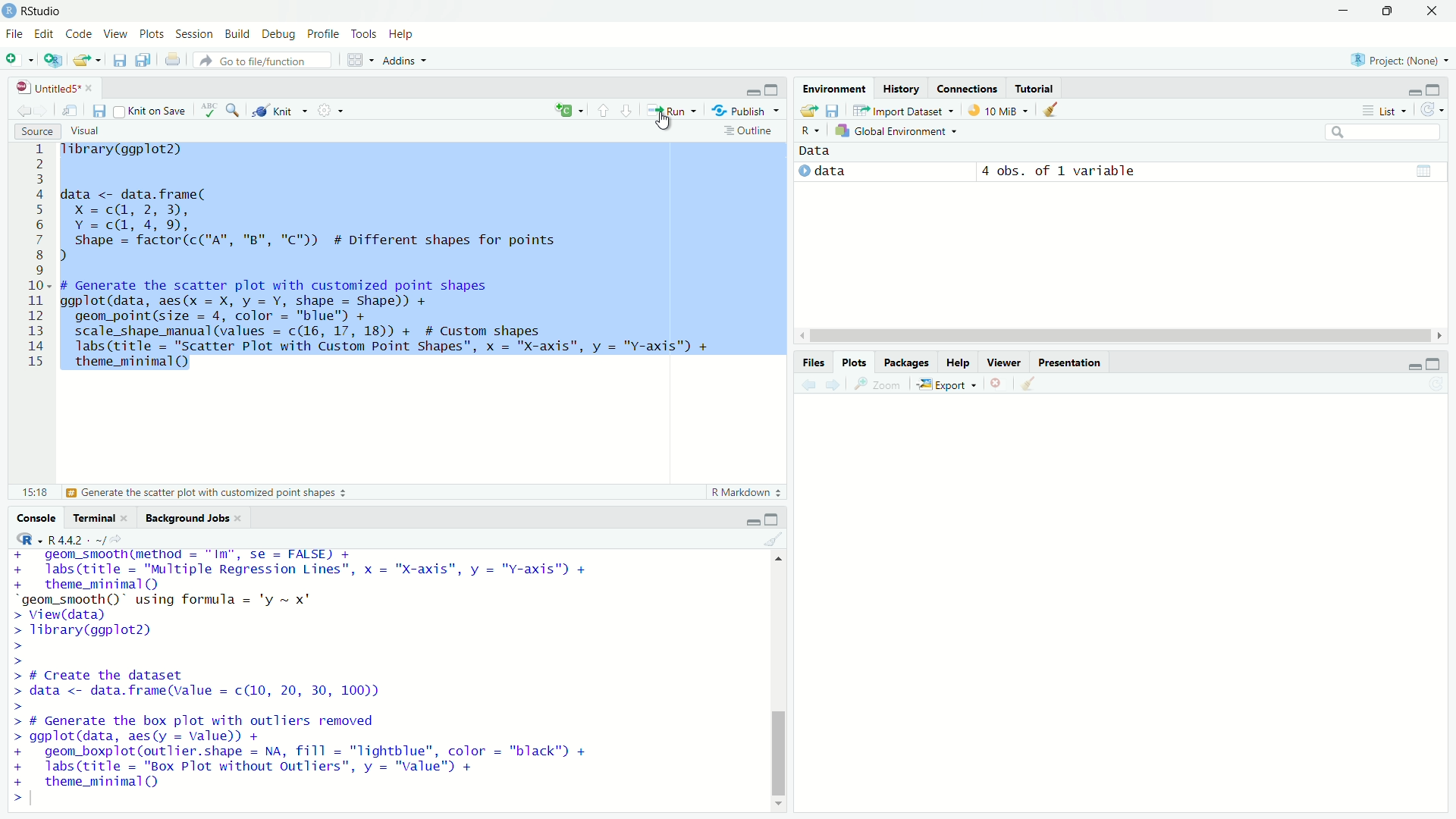  Describe the element at coordinates (1433, 89) in the screenshot. I see `maximize` at that location.